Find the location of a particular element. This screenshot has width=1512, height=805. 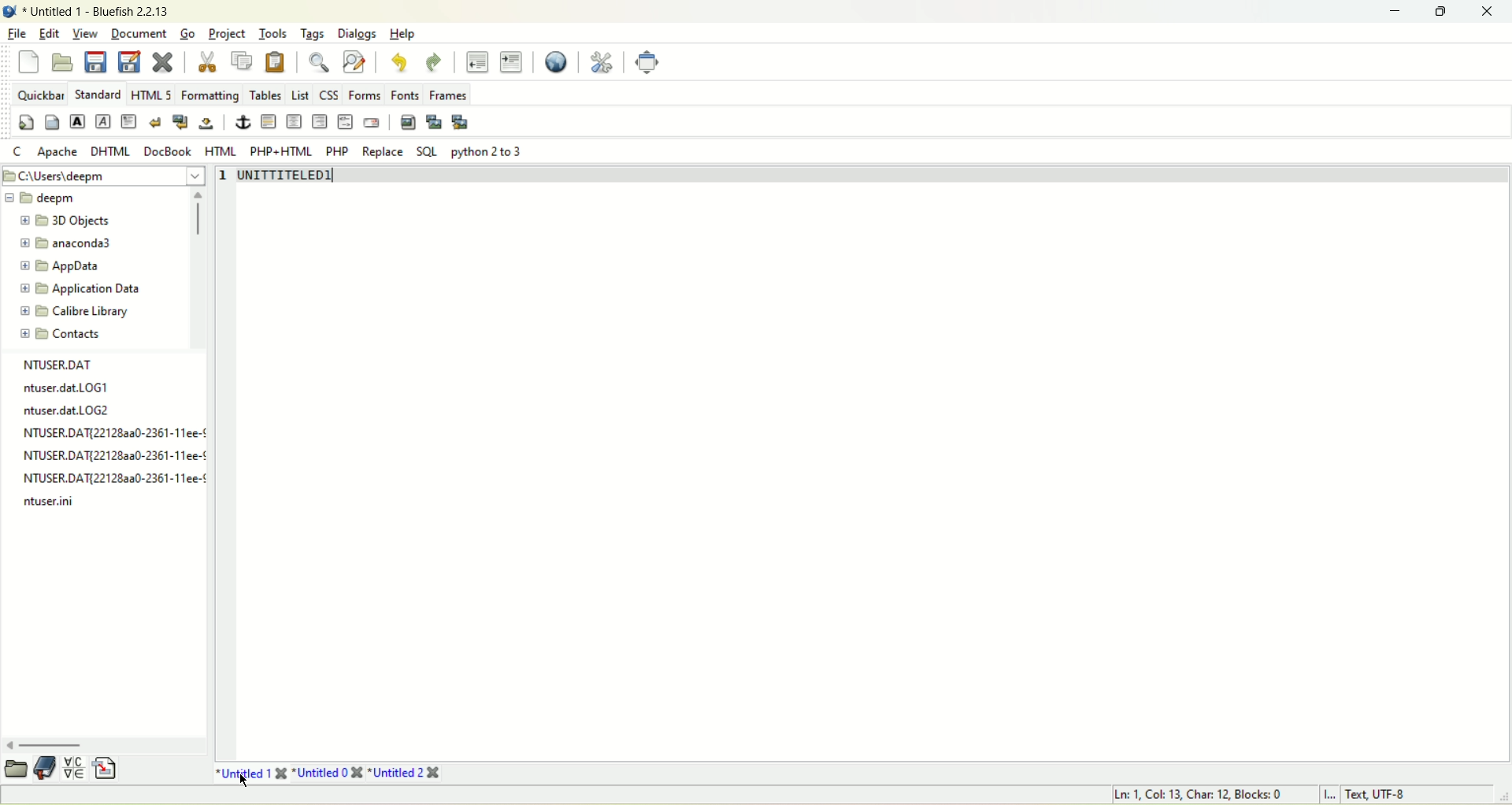

SOL is located at coordinates (428, 149).